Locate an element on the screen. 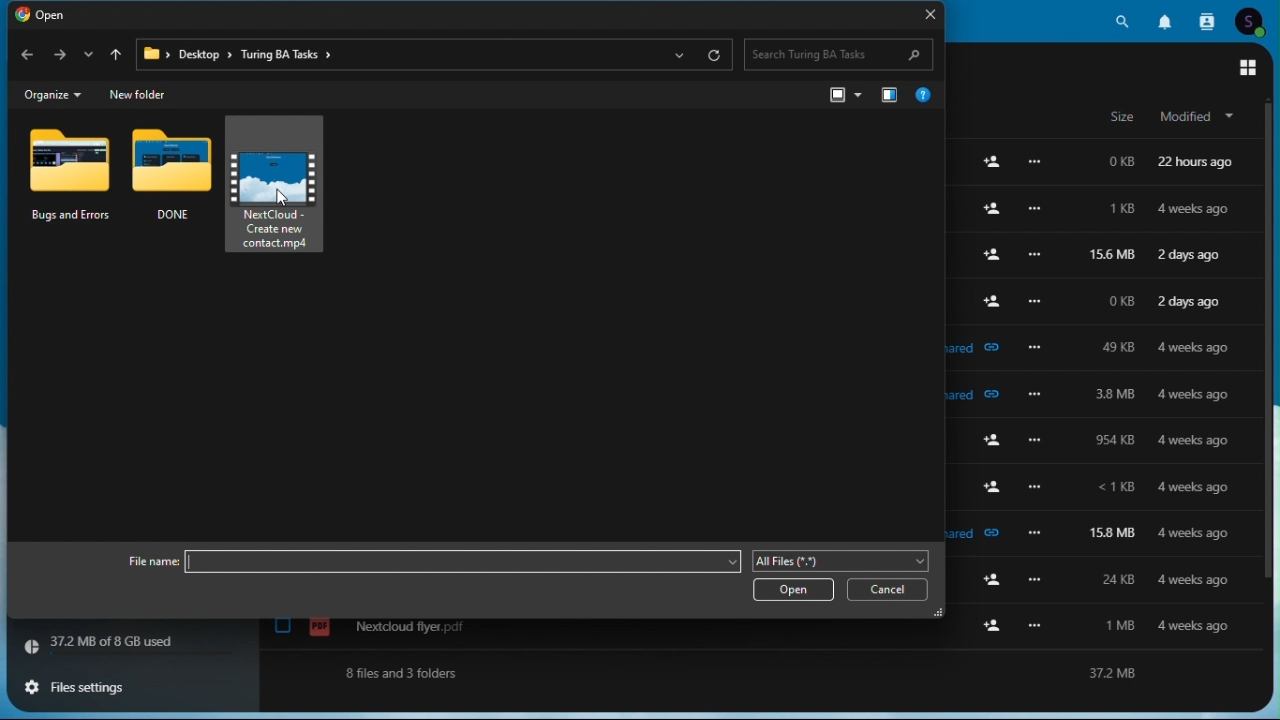 This screenshot has height=720, width=1280. more options is located at coordinates (1037, 301).